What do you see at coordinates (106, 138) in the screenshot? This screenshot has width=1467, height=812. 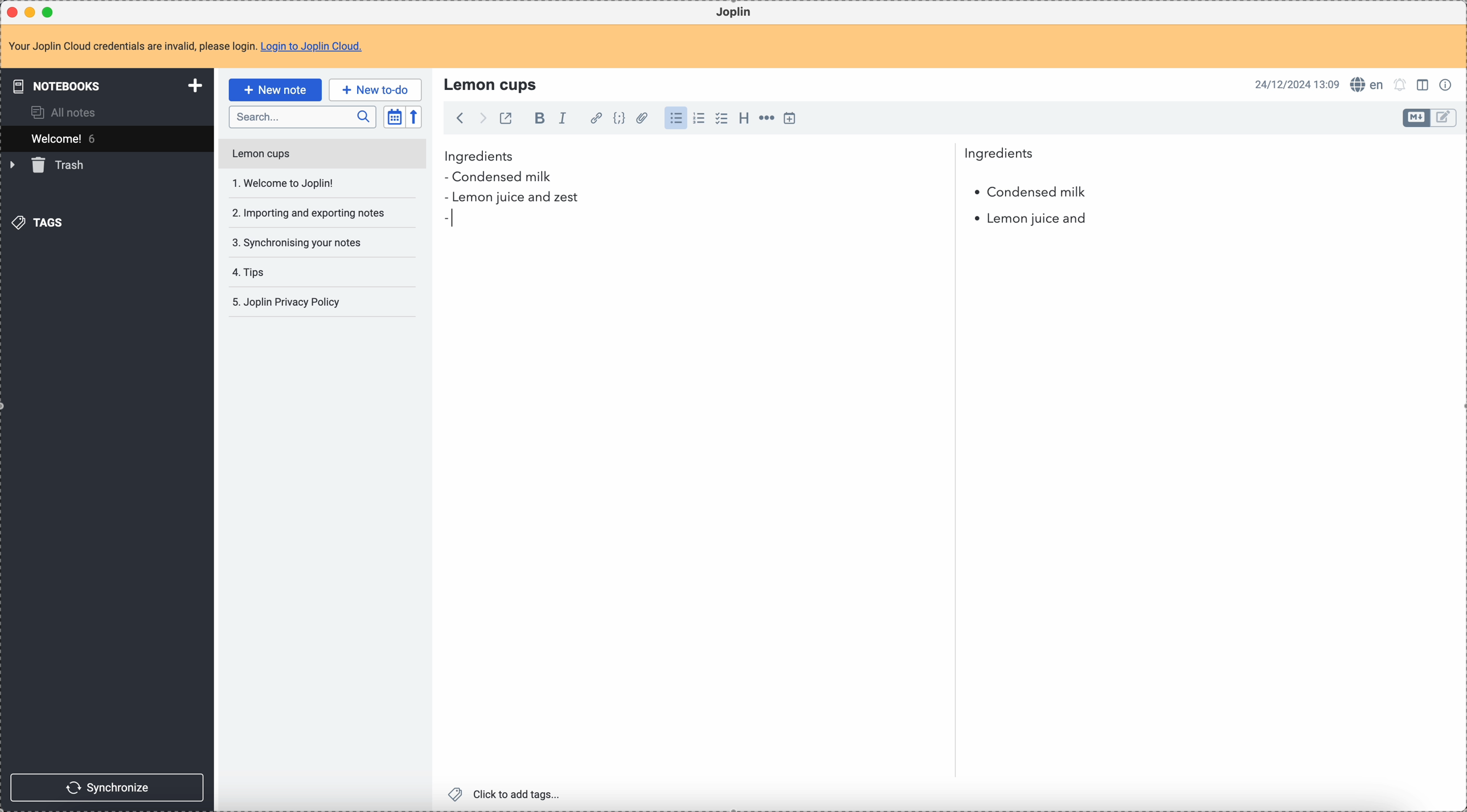 I see `welcome` at bounding box center [106, 138].